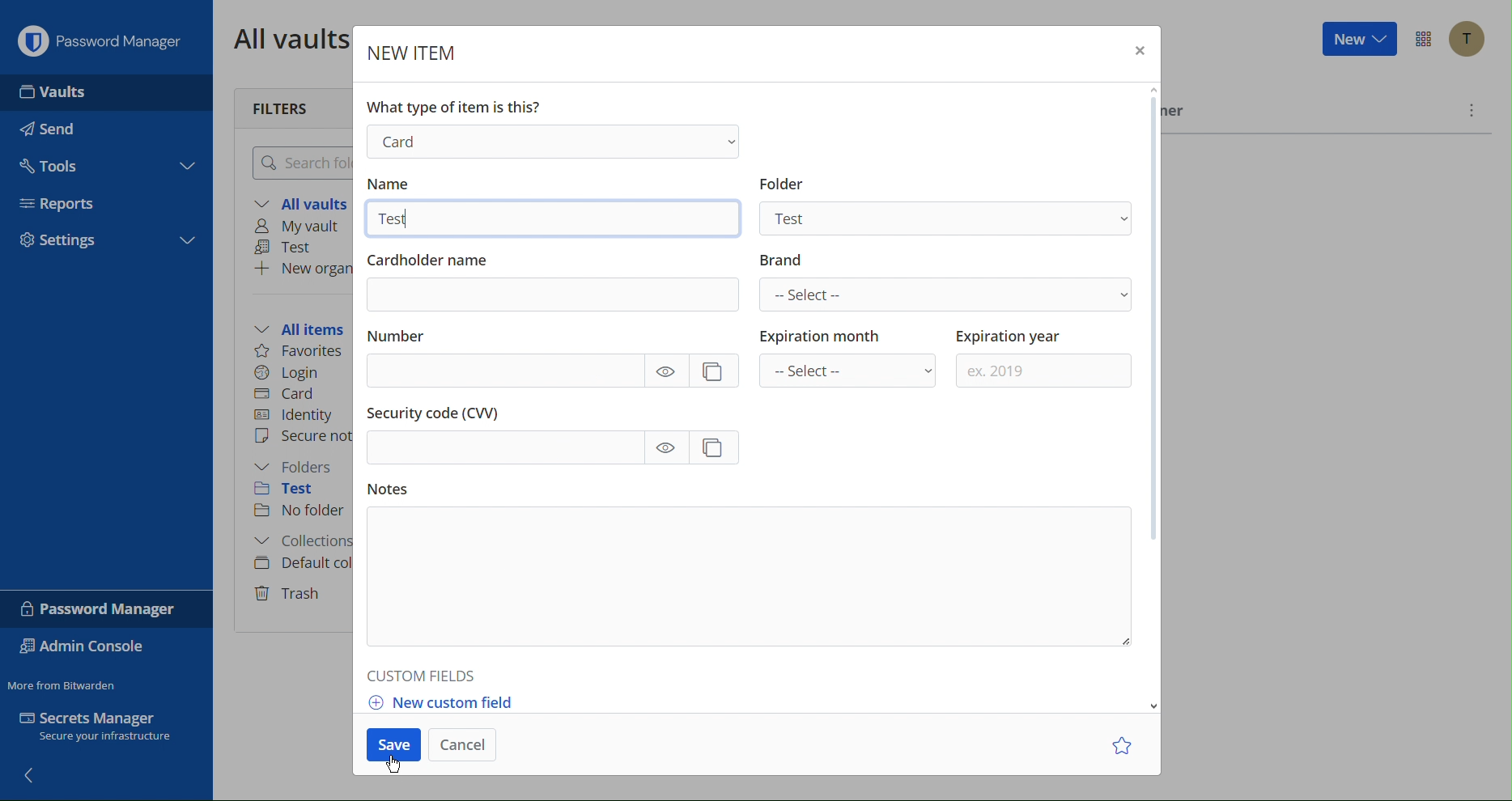 This screenshot has height=801, width=1512. I want to click on Save, so click(388, 745).